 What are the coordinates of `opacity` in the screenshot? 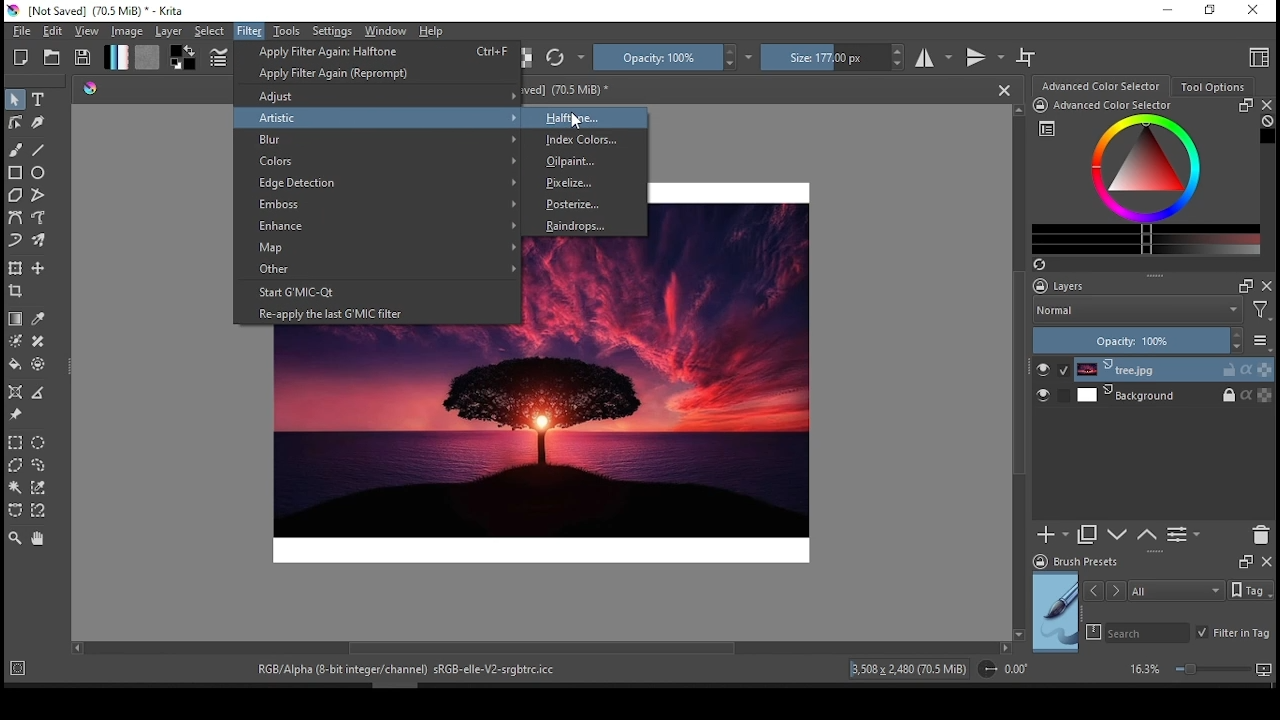 It's located at (1136, 339).